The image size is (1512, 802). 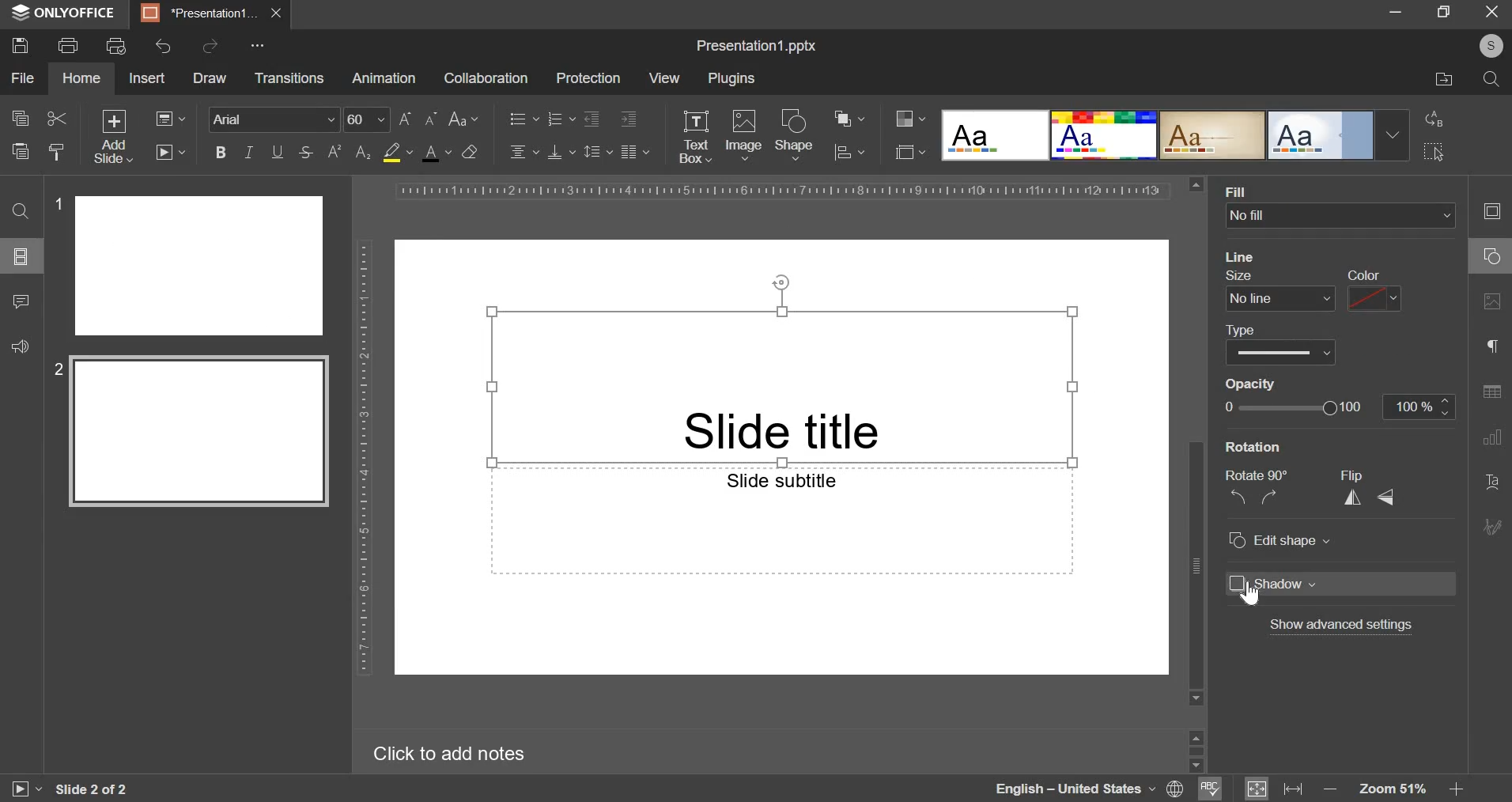 What do you see at coordinates (1176, 789) in the screenshot?
I see `set document language` at bounding box center [1176, 789].